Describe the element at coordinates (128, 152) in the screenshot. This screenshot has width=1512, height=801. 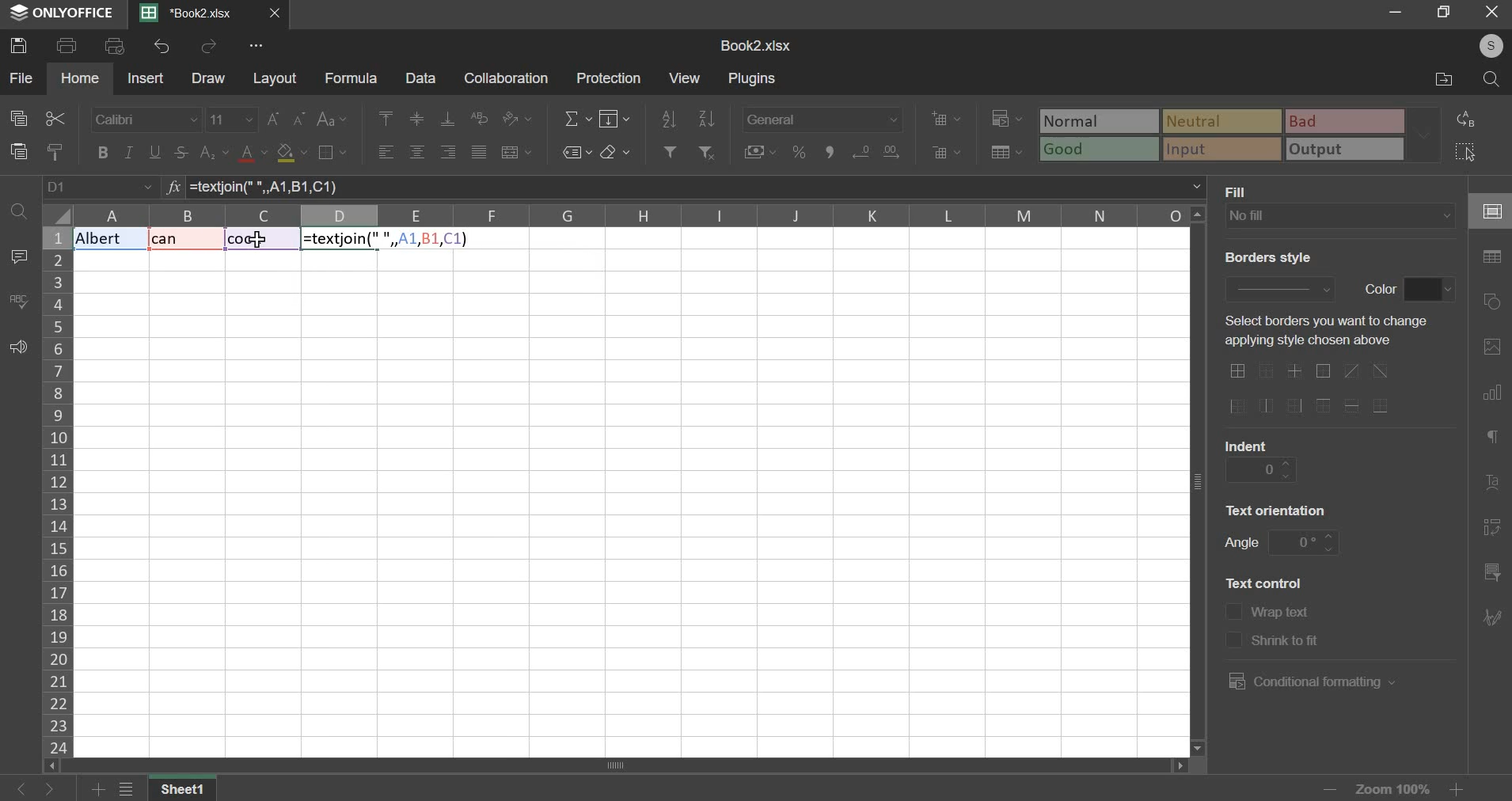
I see `italic` at that location.